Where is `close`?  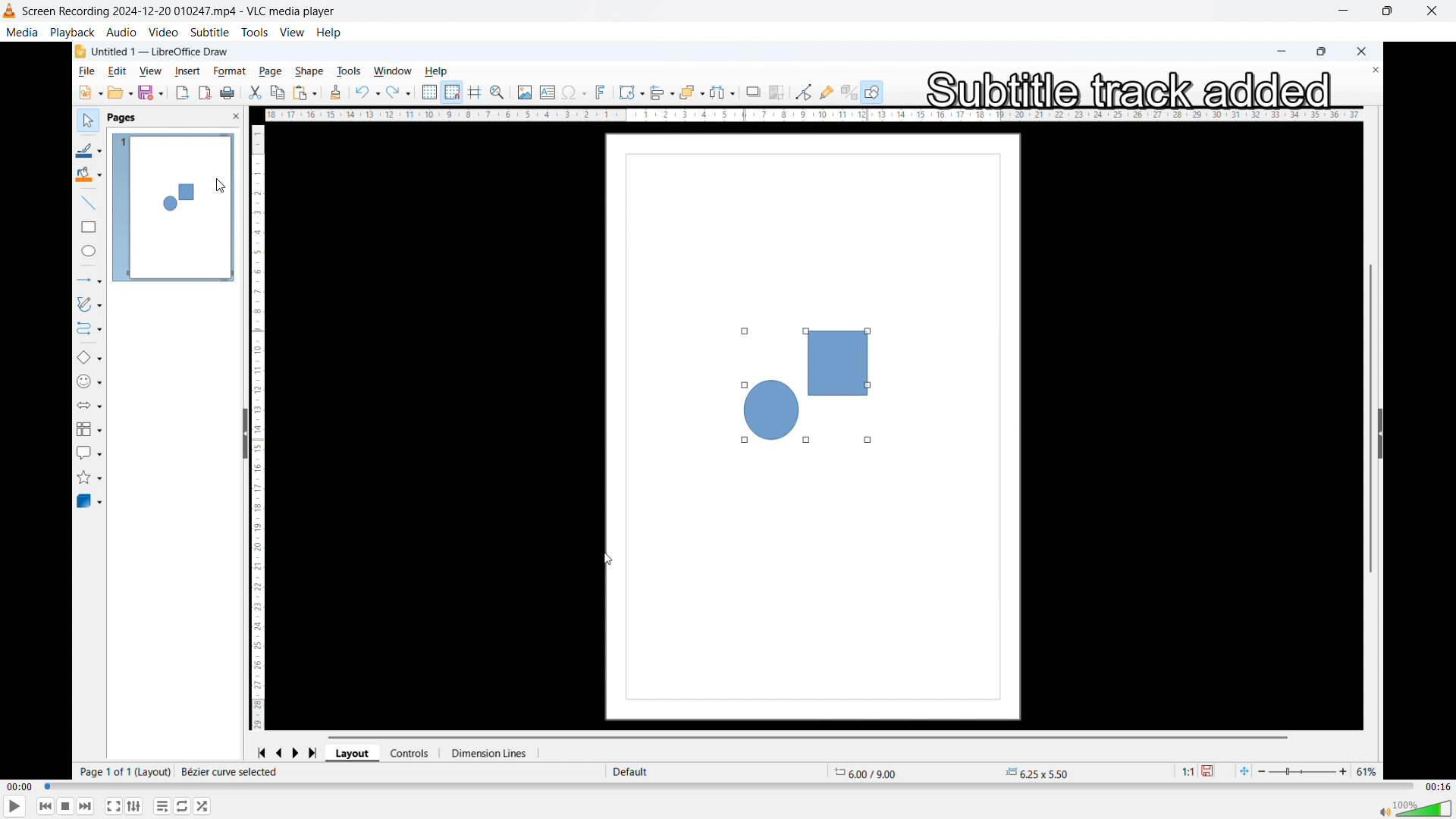 close is located at coordinates (226, 118).